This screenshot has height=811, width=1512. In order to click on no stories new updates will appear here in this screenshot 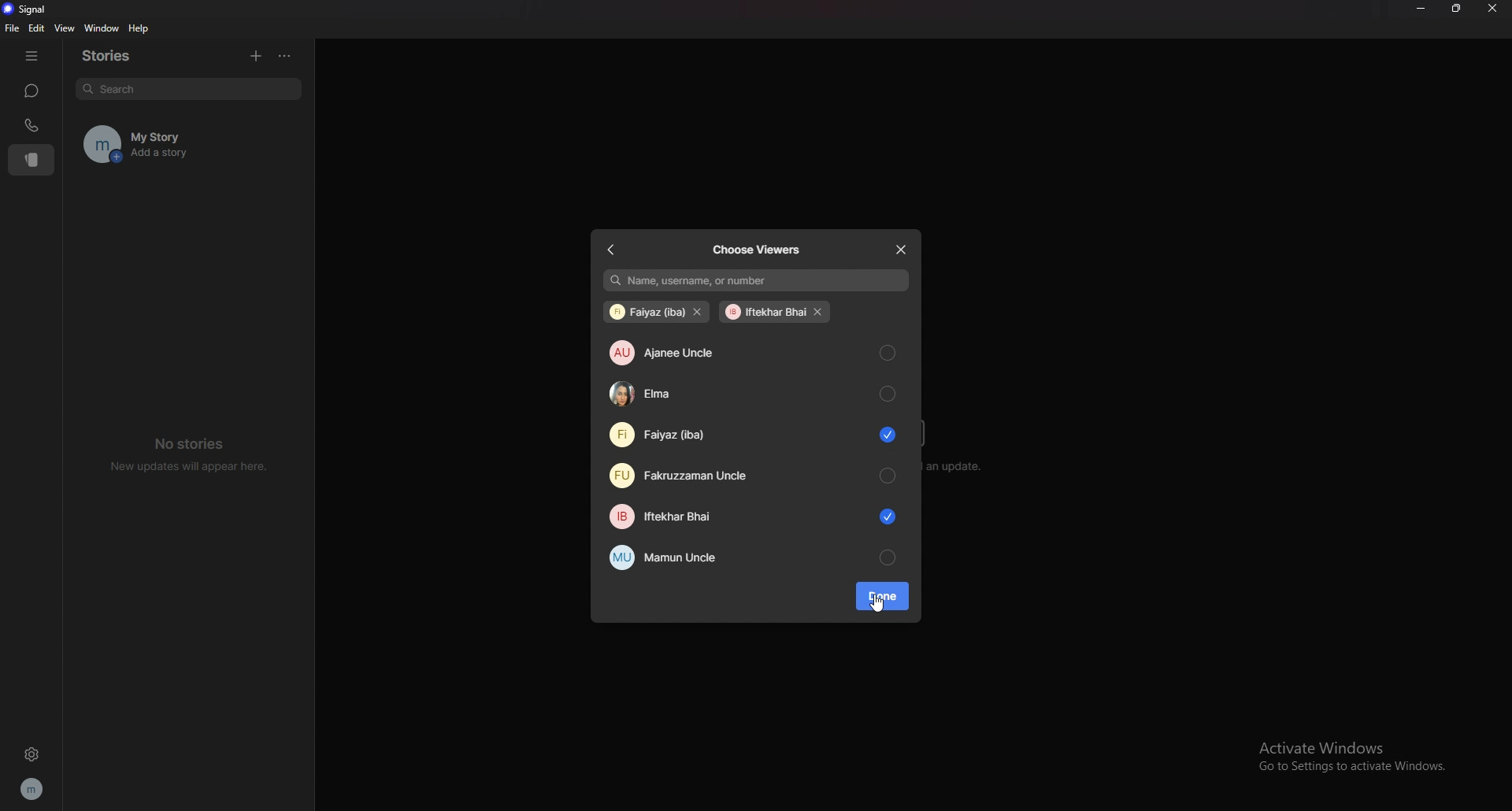, I will do `click(186, 455)`.